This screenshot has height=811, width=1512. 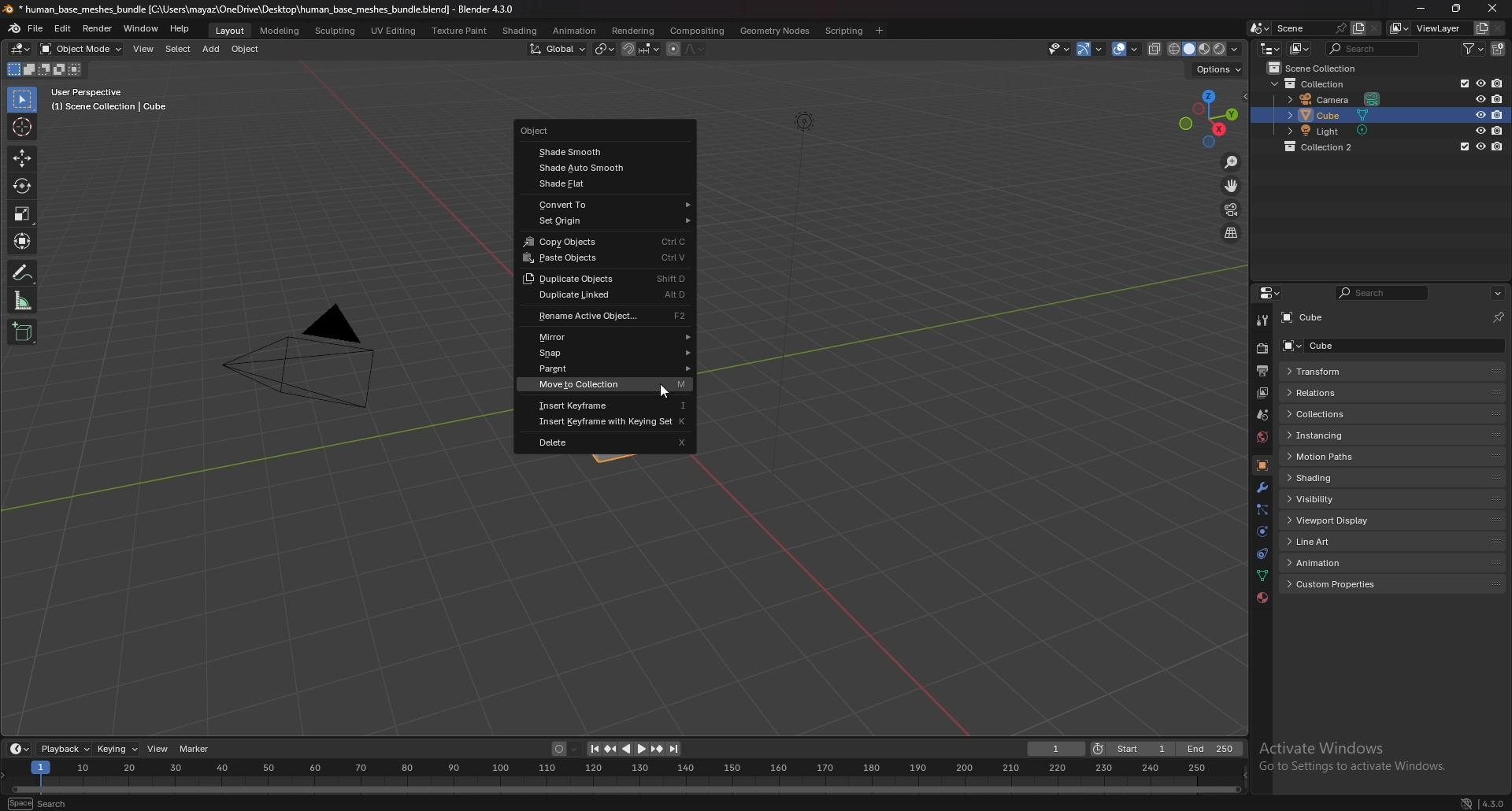 I want to click on keying, so click(x=120, y=749).